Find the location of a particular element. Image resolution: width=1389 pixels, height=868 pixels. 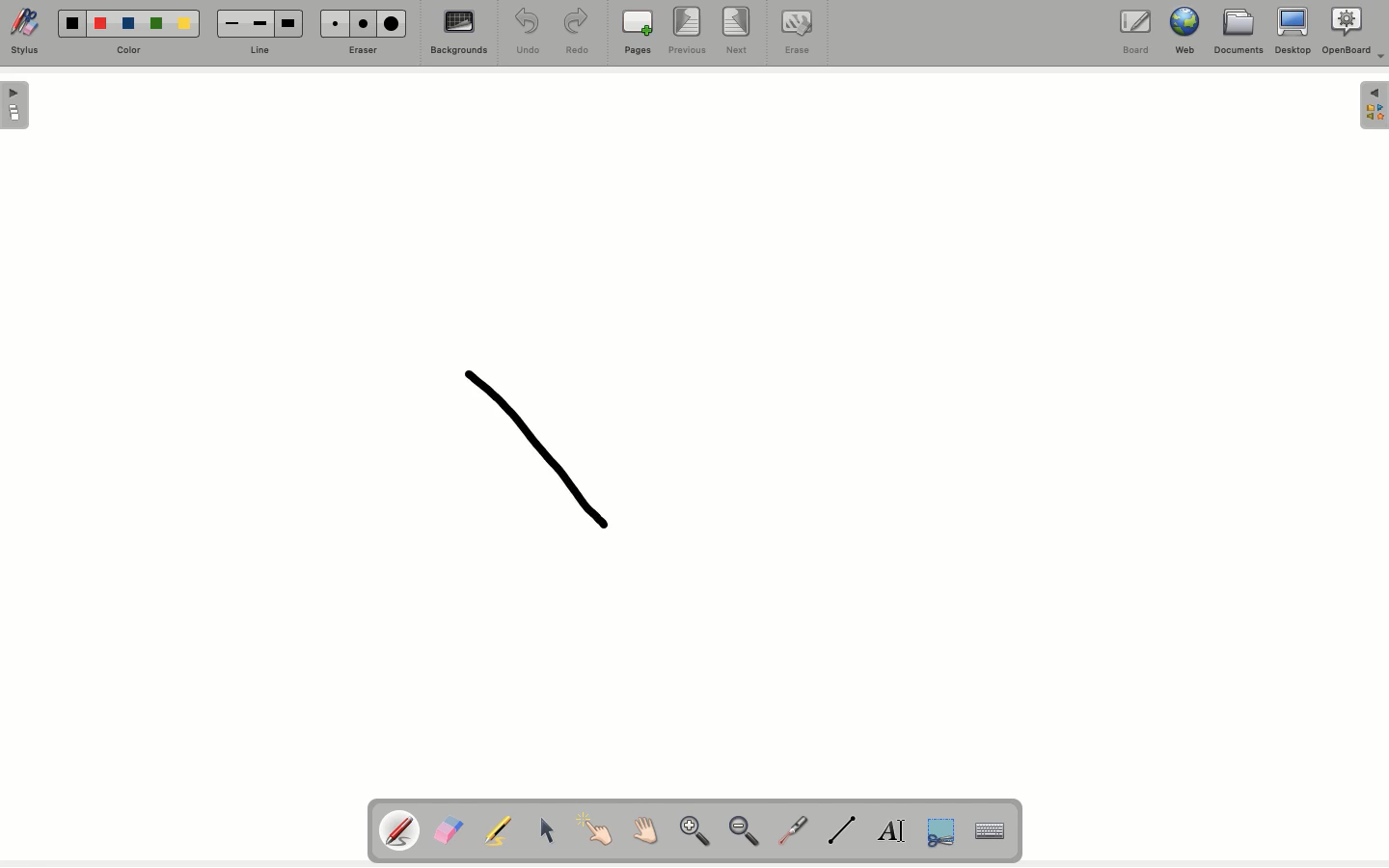

Grab is located at coordinates (643, 831).